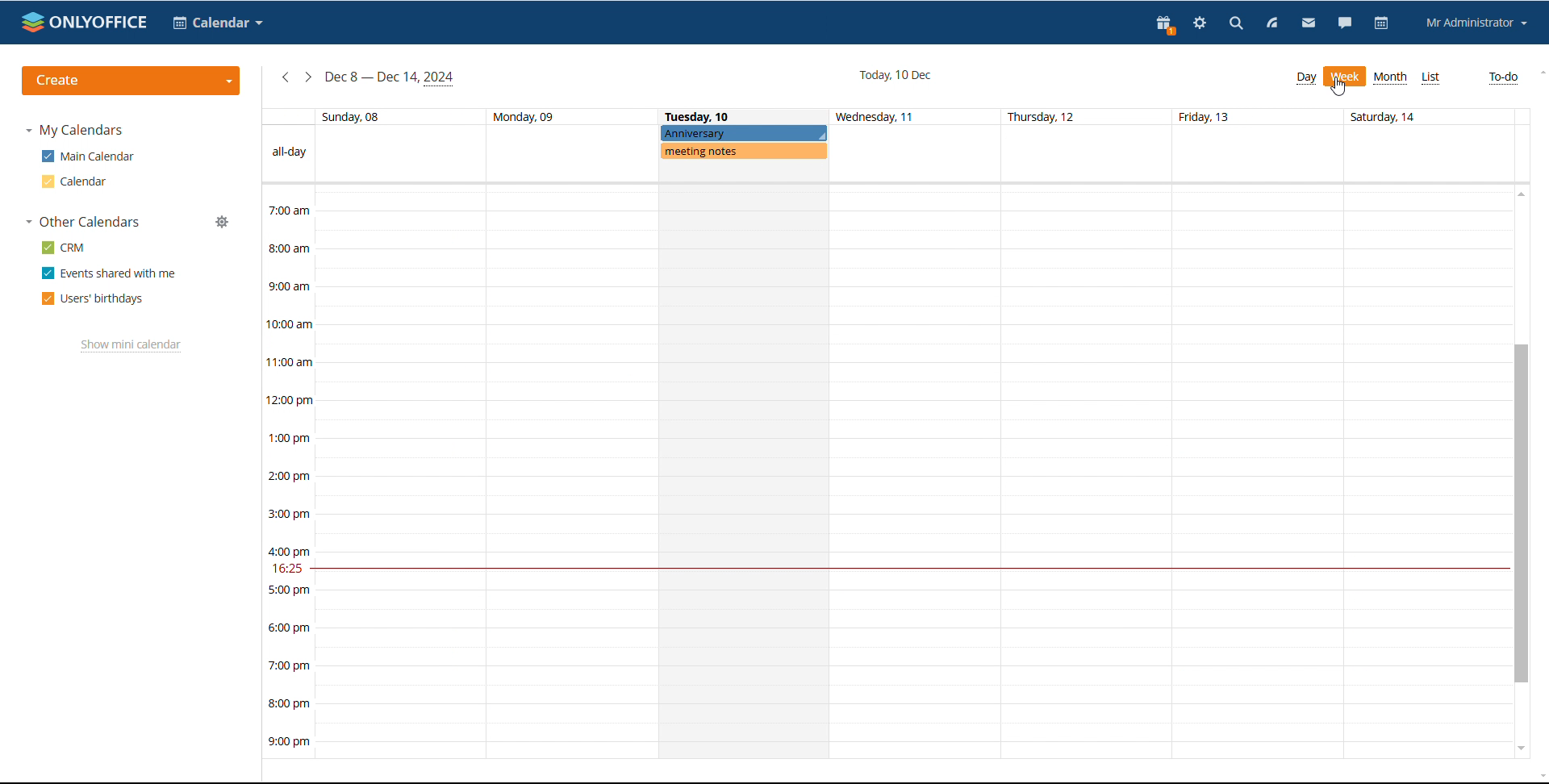  What do you see at coordinates (1273, 24) in the screenshot?
I see `feed` at bounding box center [1273, 24].